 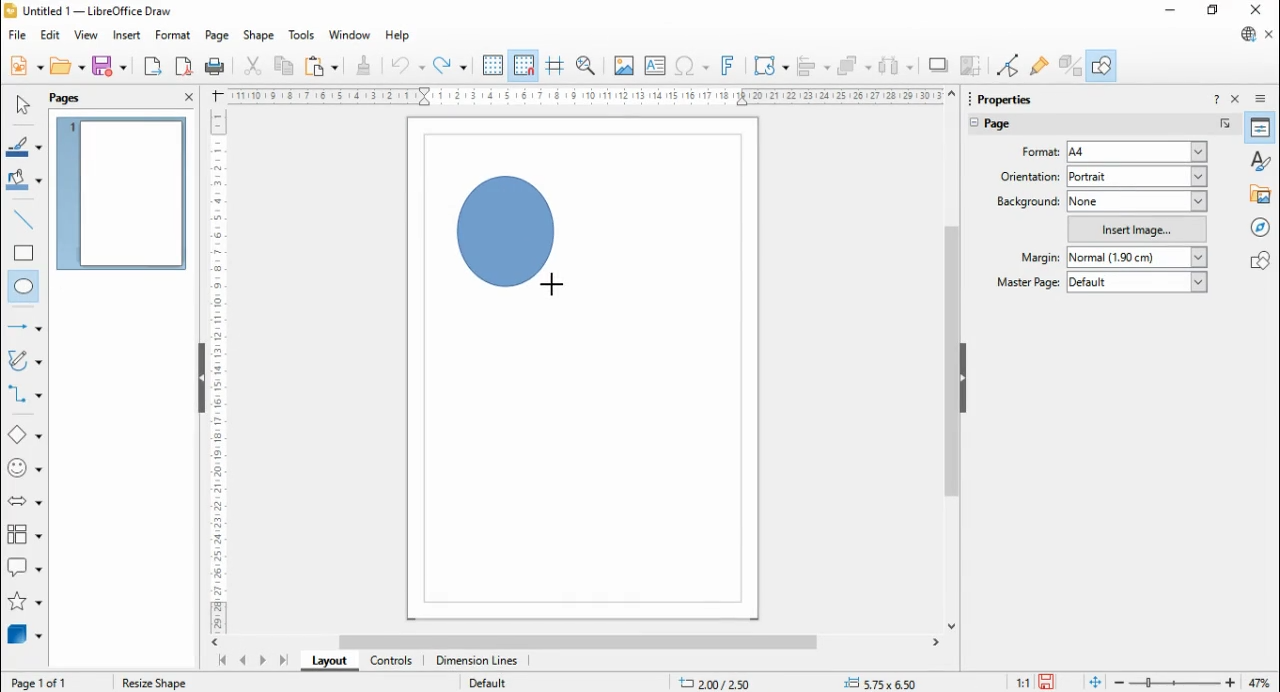 I want to click on portrait, so click(x=1137, y=176).